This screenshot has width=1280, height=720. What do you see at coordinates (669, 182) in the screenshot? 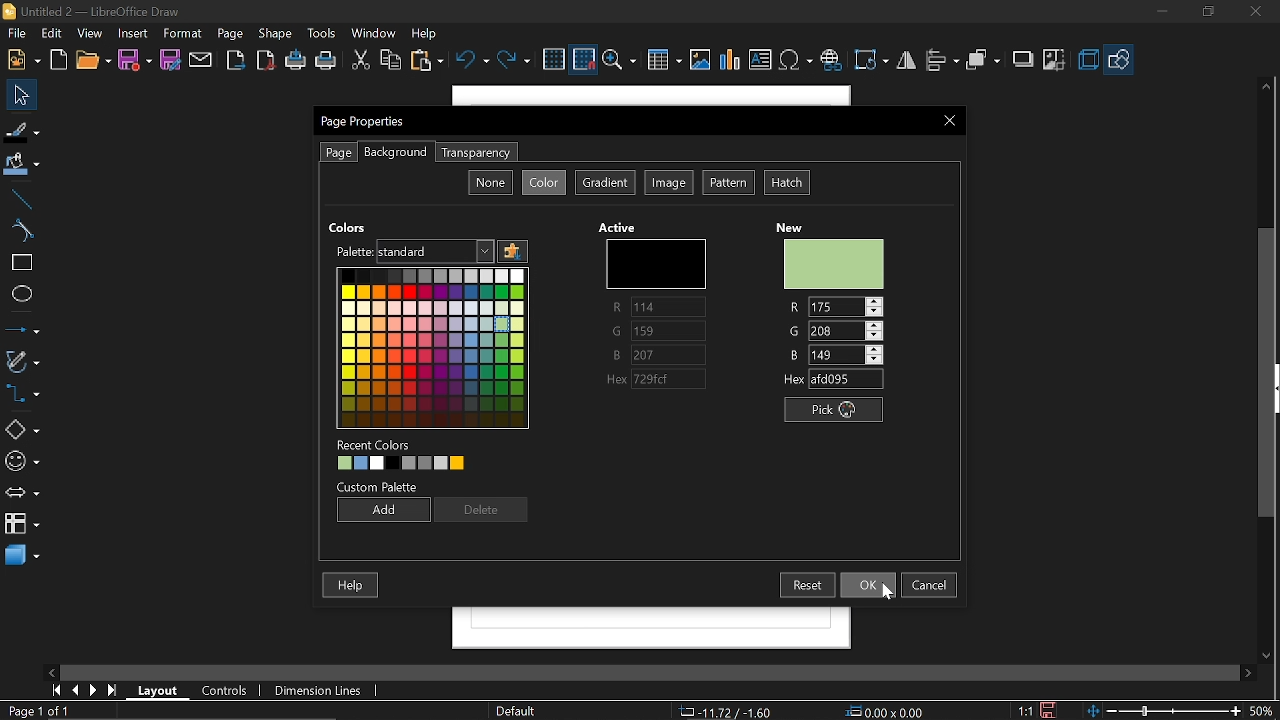
I see `Image` at bounding box center [669, 182].